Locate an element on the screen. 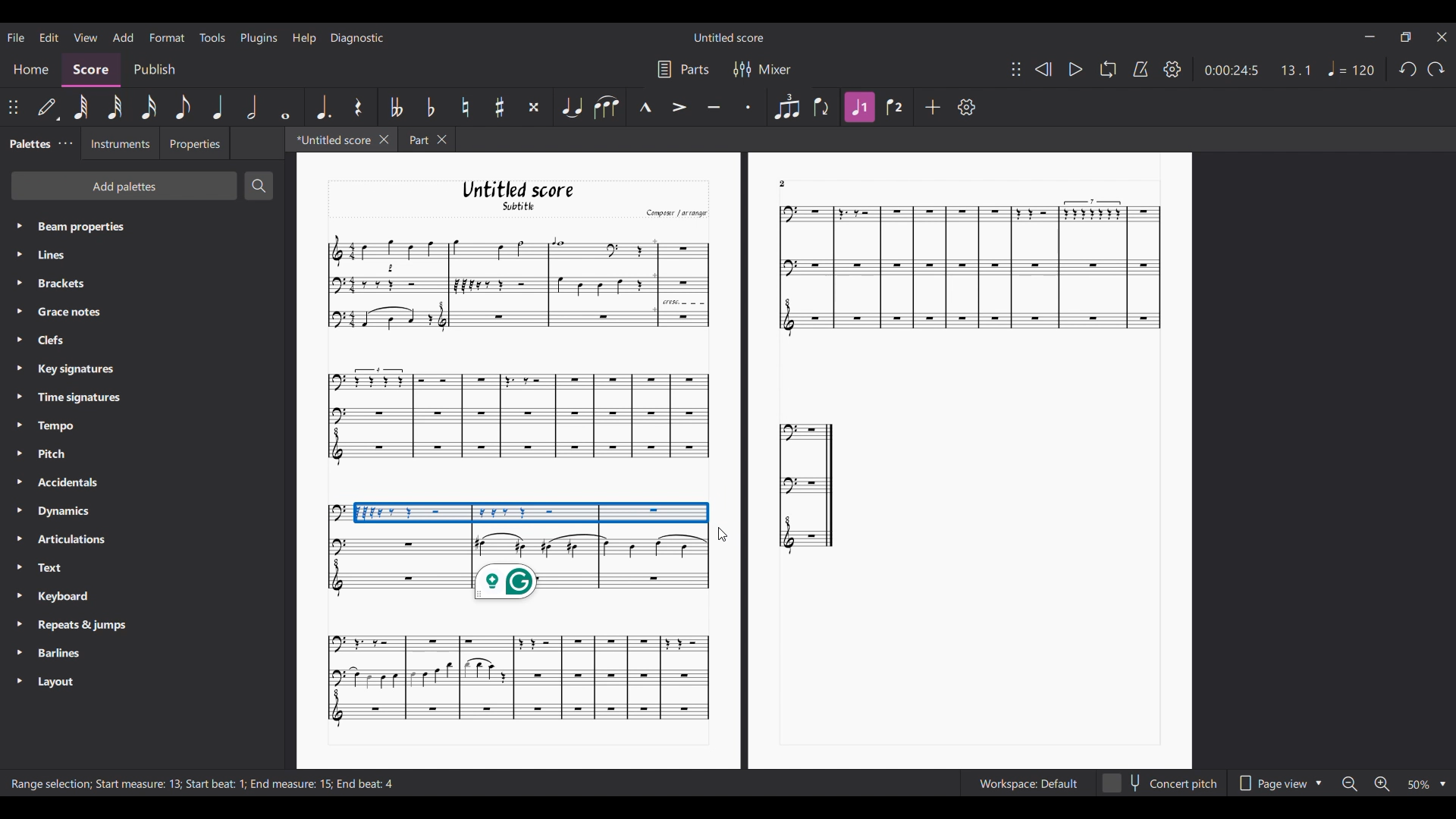 Image resolution: width=1456 pixels, height=819 pixels. 16th note is located at coordinates (149, 107).